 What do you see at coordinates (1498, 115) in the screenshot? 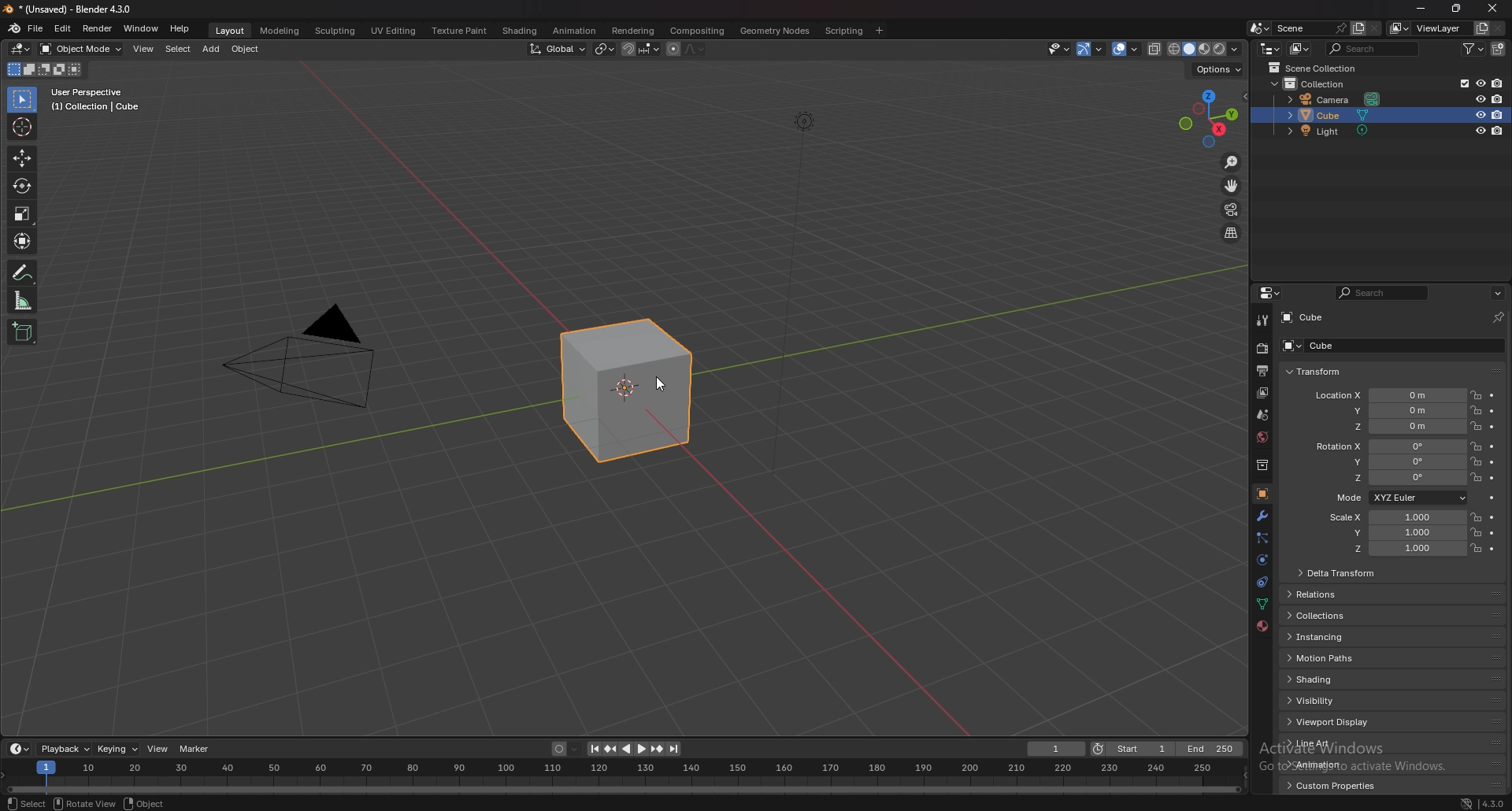
I see `disable in render` at bounding box center [1498, 115].